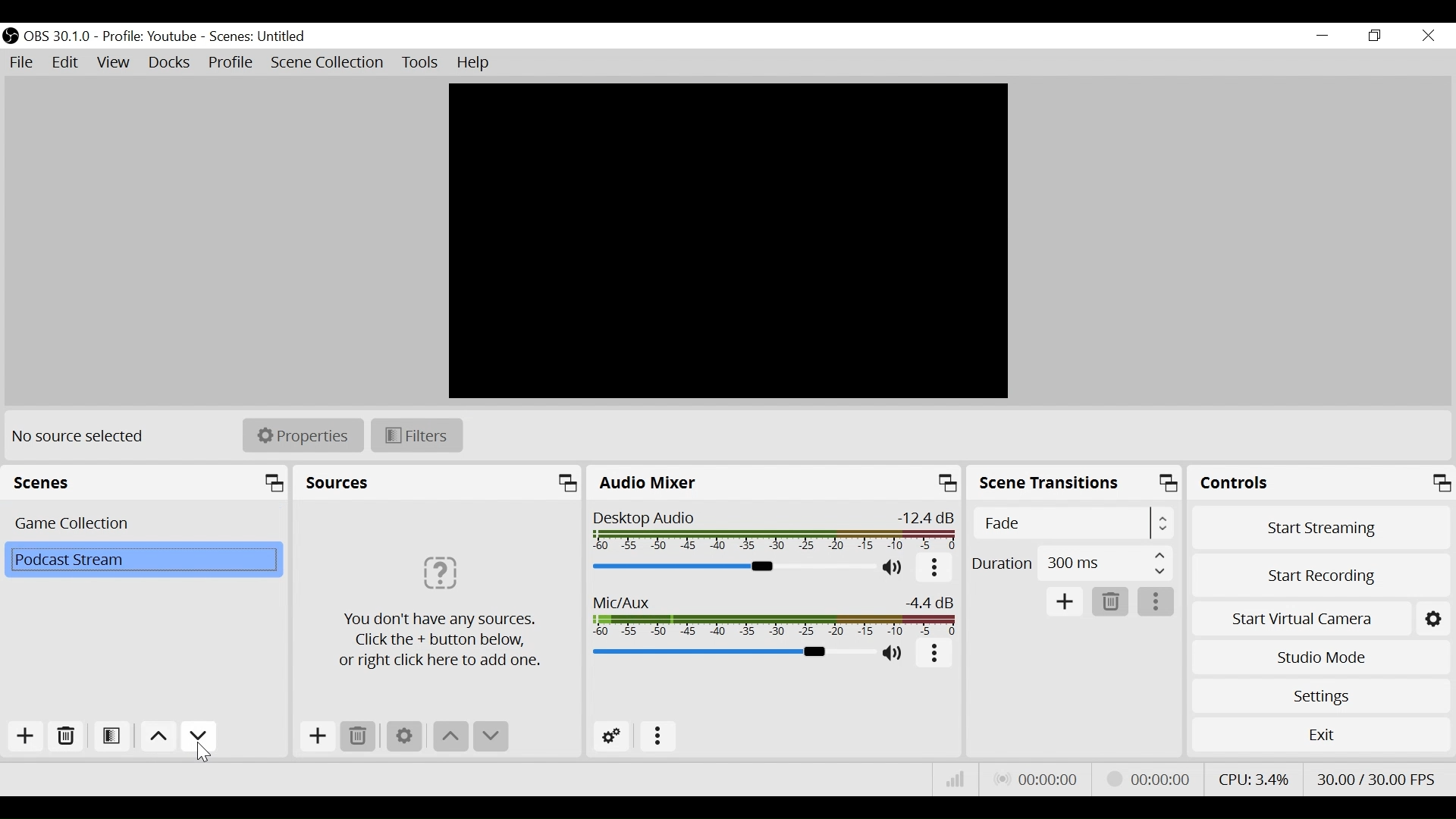 Image resolution: width=1456 pixels, height=819 pixels. Describe the element at coordinates (449, 737) in the screenshot. I see `move up` at that location.